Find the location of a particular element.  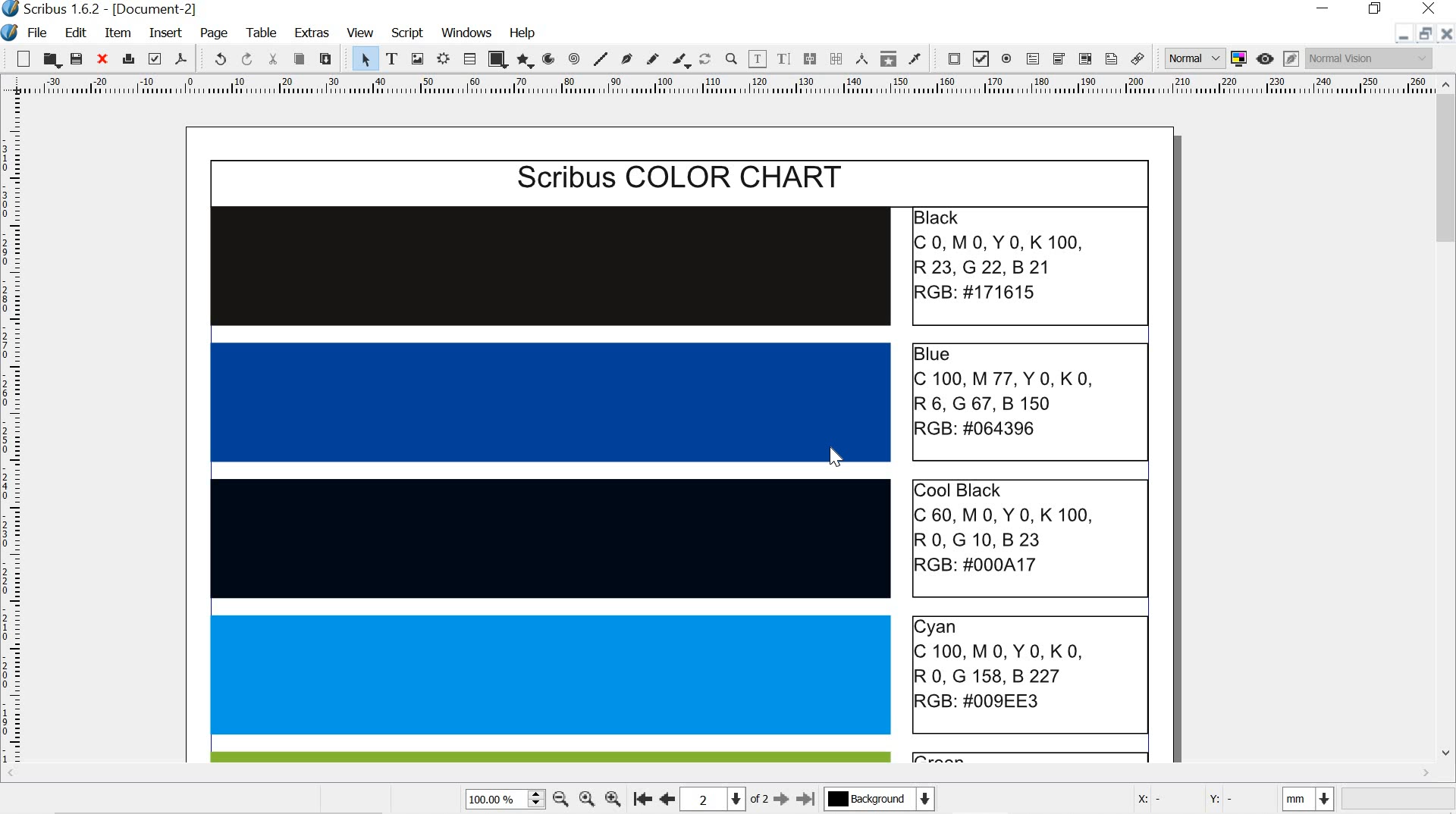

table is located at coordinates (470, 58).